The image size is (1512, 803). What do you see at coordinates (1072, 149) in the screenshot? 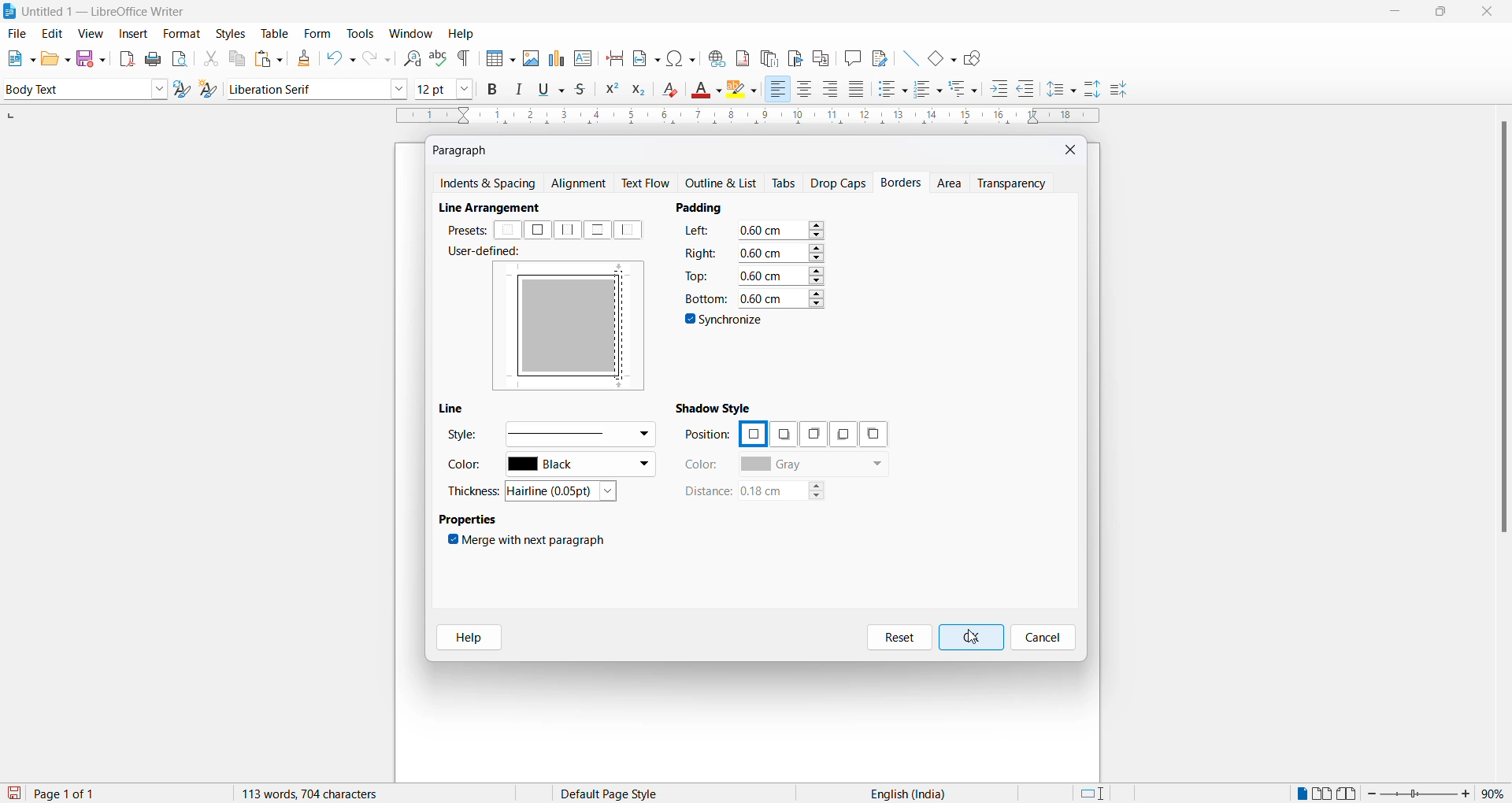
I see `close` at bounding box center [1072, 149].